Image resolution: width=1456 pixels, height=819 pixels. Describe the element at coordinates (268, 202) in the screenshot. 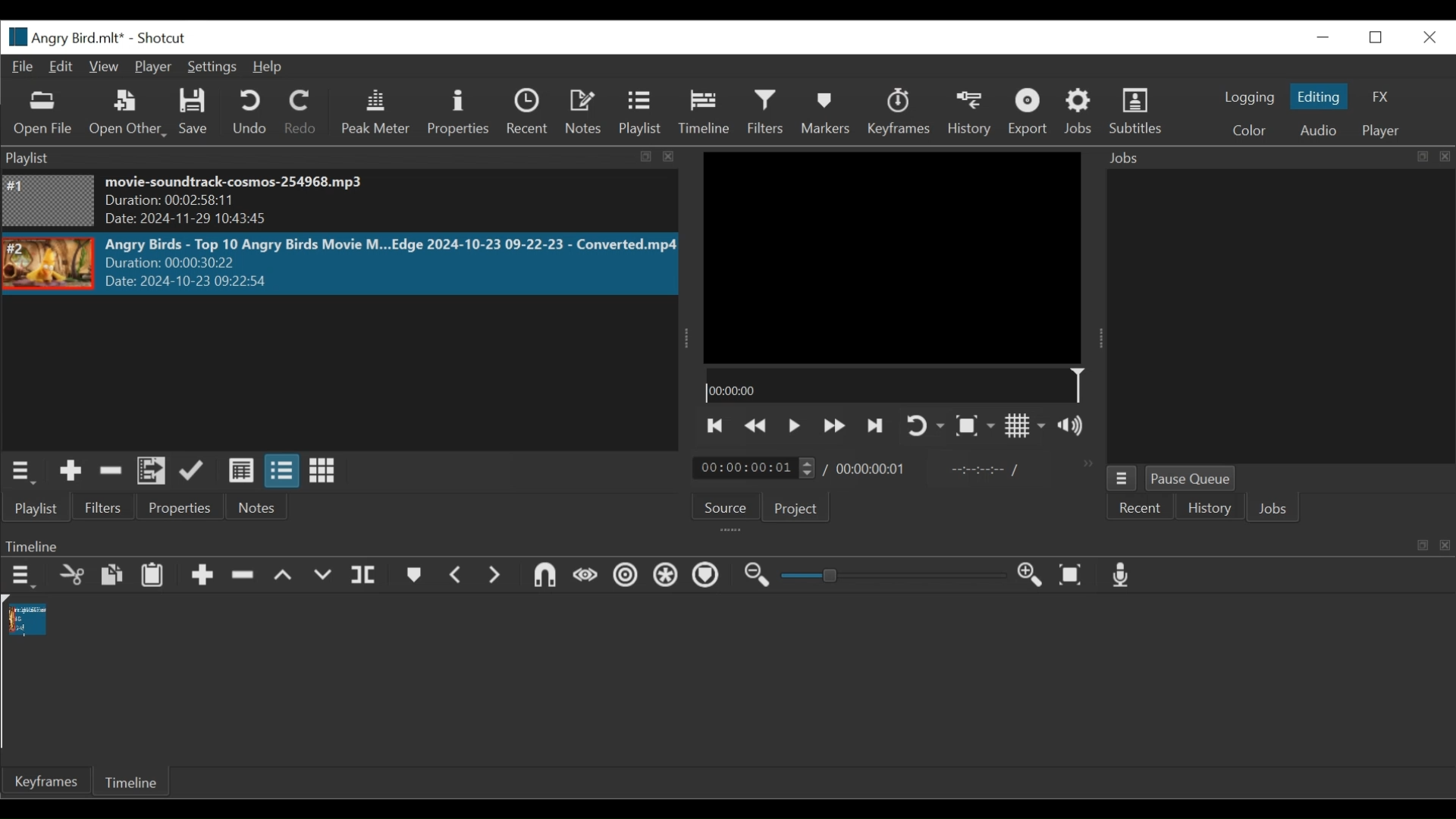

I see `movie-soundtrack-cosmos-254968.mp3
Duration: 00:02:58:11
Date: 2024-11-29 10:43:45` at that location.